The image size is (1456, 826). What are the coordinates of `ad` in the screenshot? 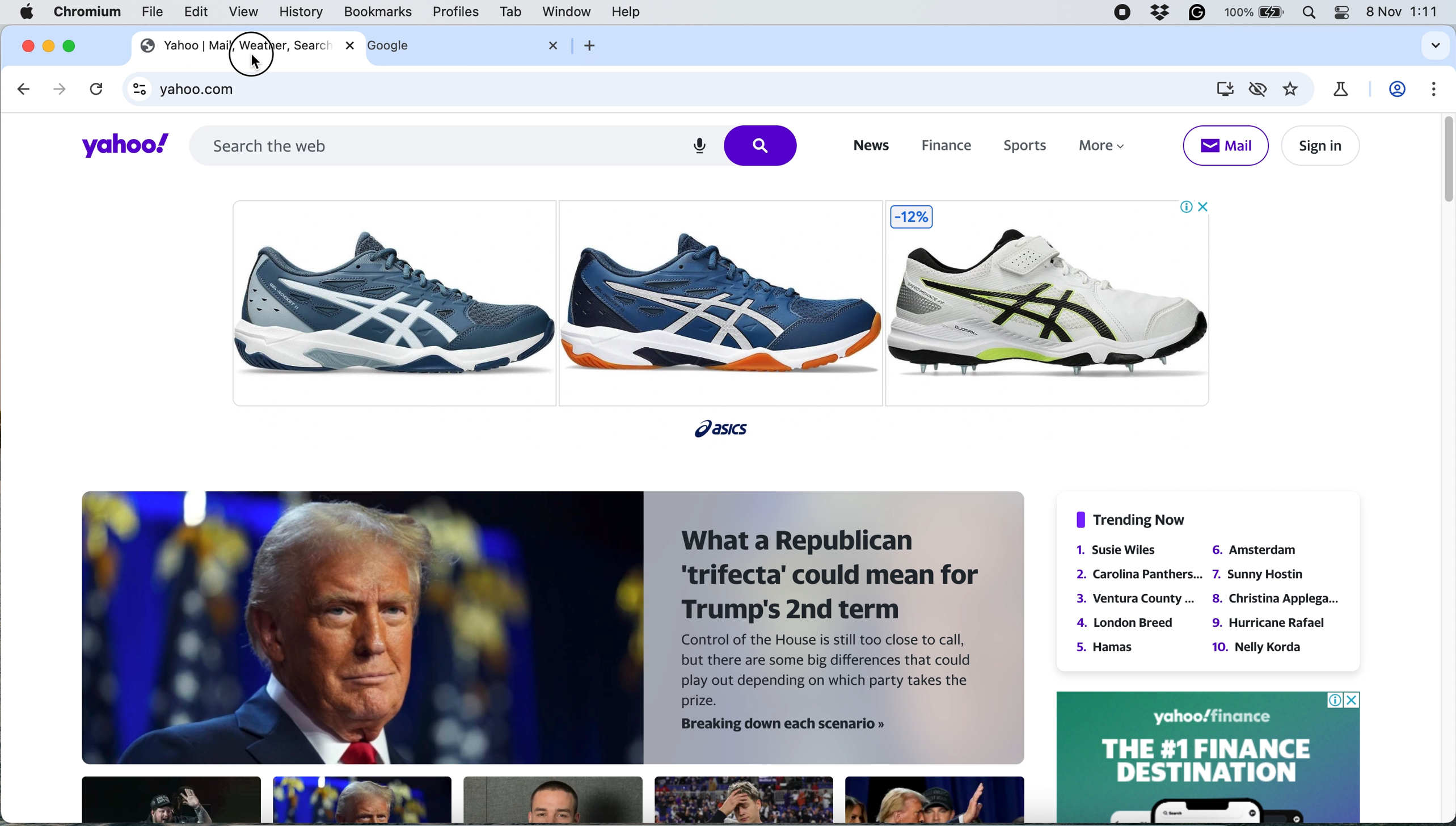 It's located at (729, 311).